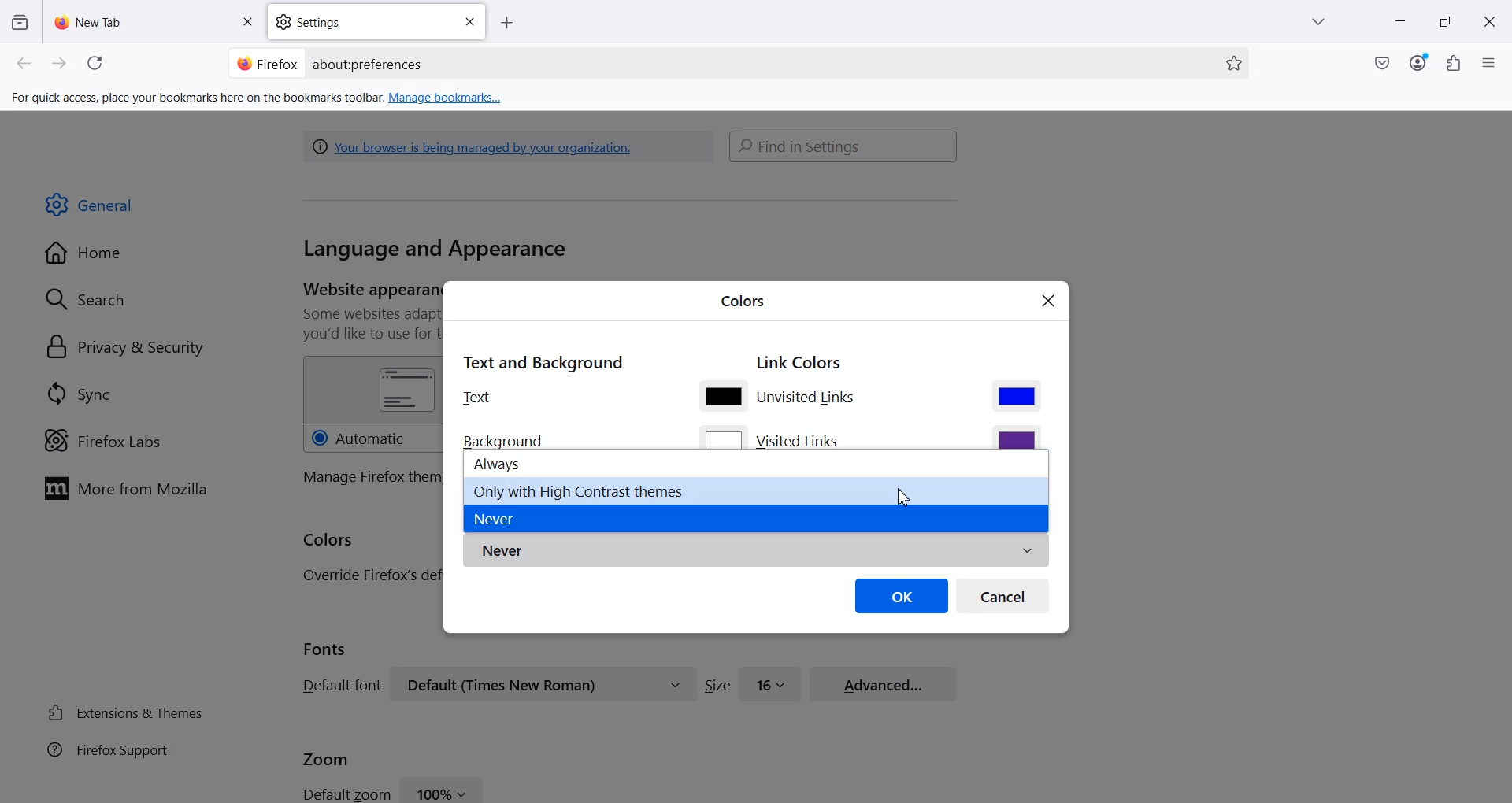 The width and height of the screenshot is (1512, 803). I want to click on Extensions, so click(1455, 63).